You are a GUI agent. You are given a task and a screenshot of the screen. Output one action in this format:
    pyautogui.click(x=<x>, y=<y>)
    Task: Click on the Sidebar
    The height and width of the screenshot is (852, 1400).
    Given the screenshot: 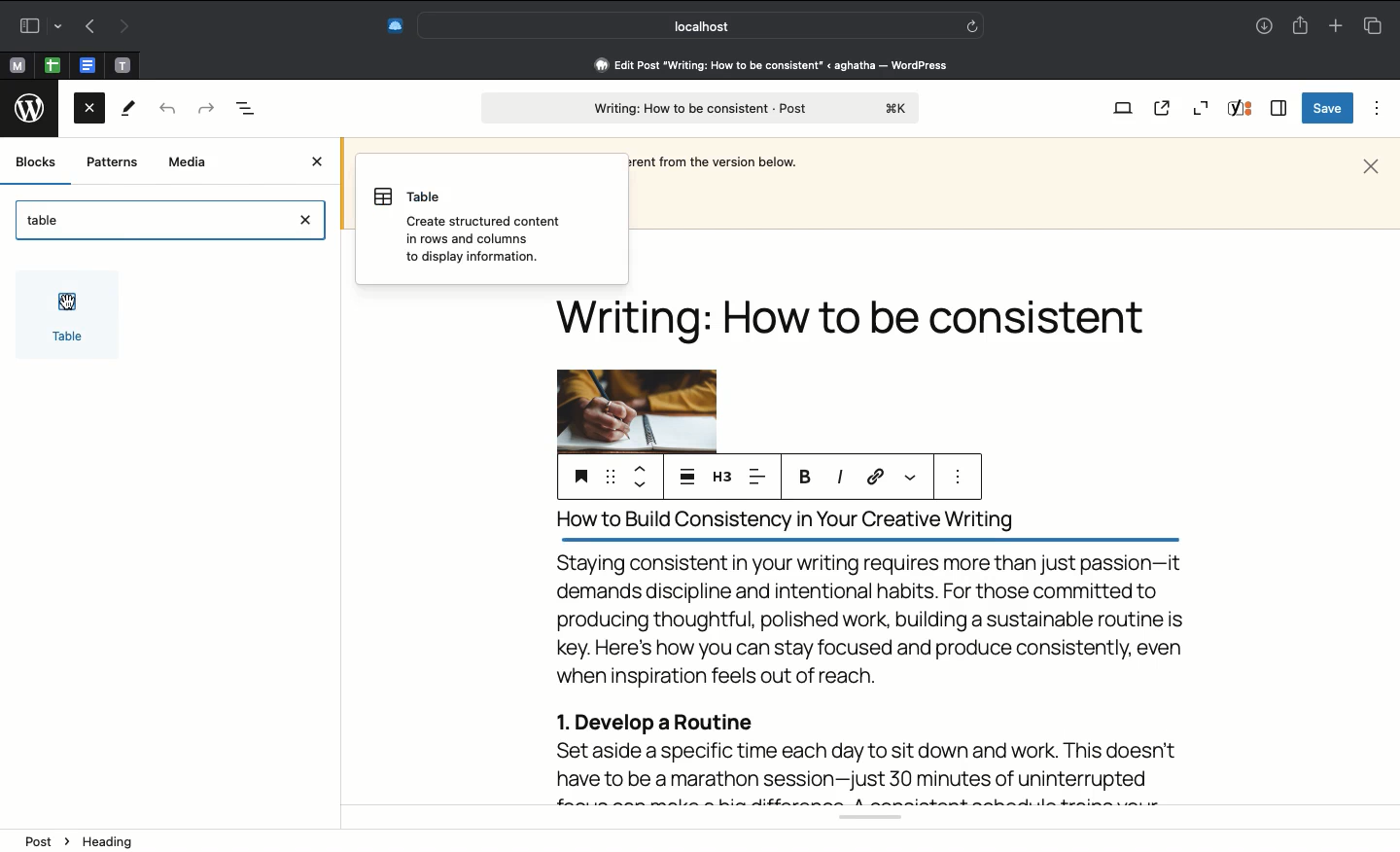 What is the action you would take?
    pyautogui.click(x=36, y=25)
    